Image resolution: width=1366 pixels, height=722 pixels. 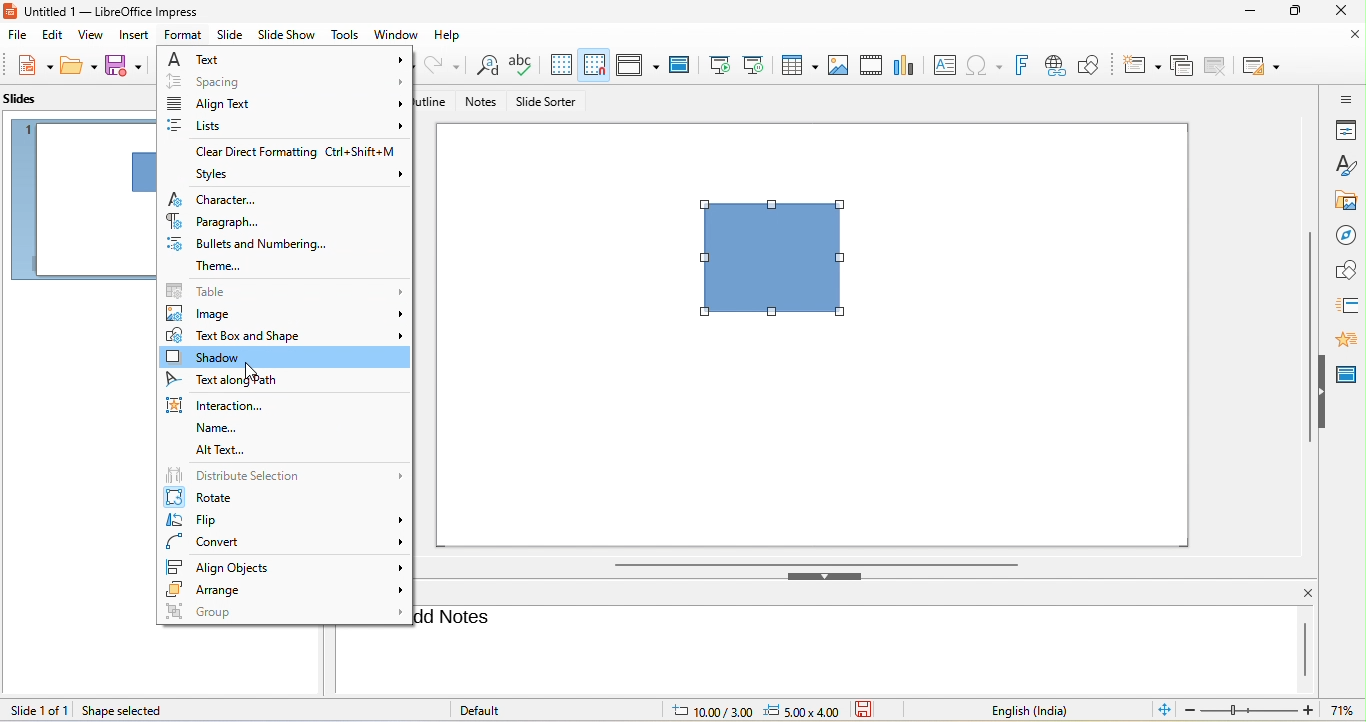 What do you see at coordinates (782, 269) in the screenshot?
I see `select shape` at bounding box center [782, 269].